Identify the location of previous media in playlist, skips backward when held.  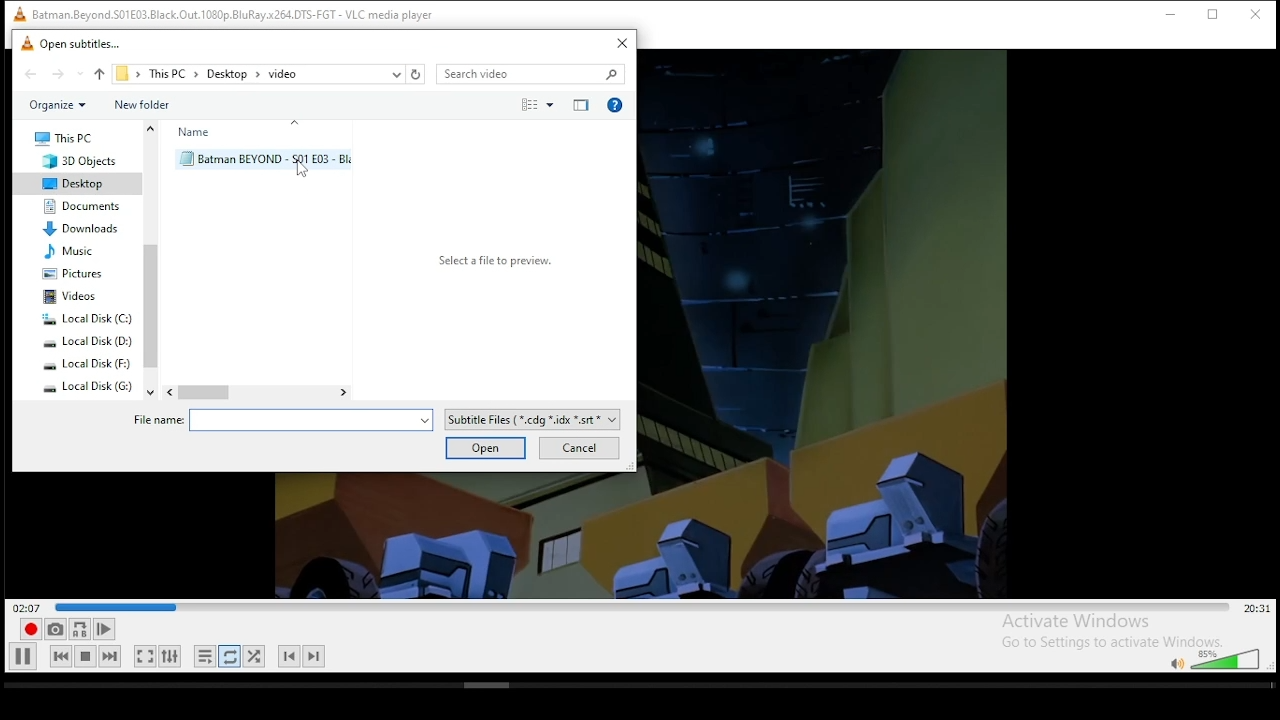
(61, 657).